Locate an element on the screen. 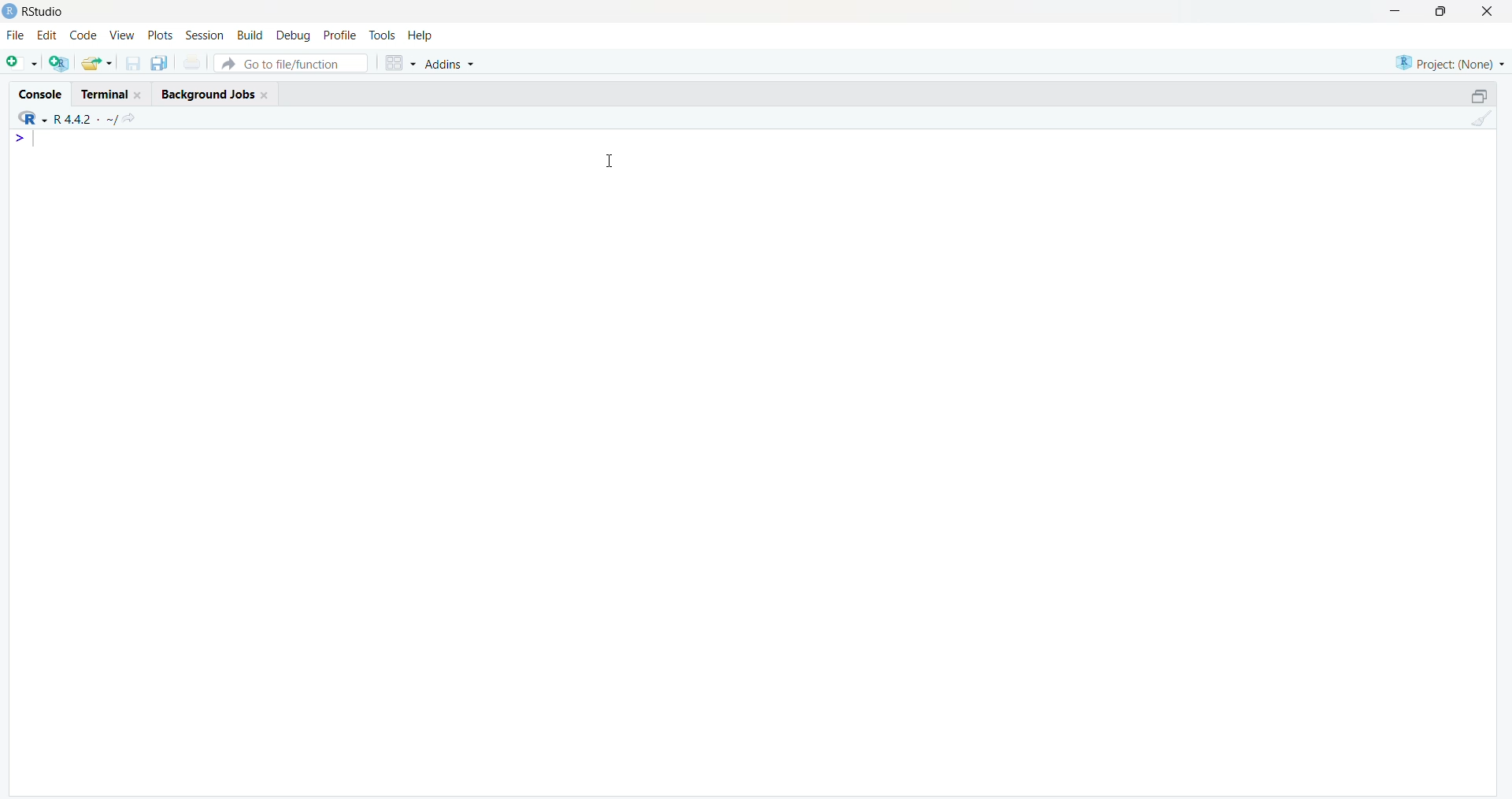 The height and width of the screenshot is (799, 1512). Project: (None) is located at coordinates (1450, 63).